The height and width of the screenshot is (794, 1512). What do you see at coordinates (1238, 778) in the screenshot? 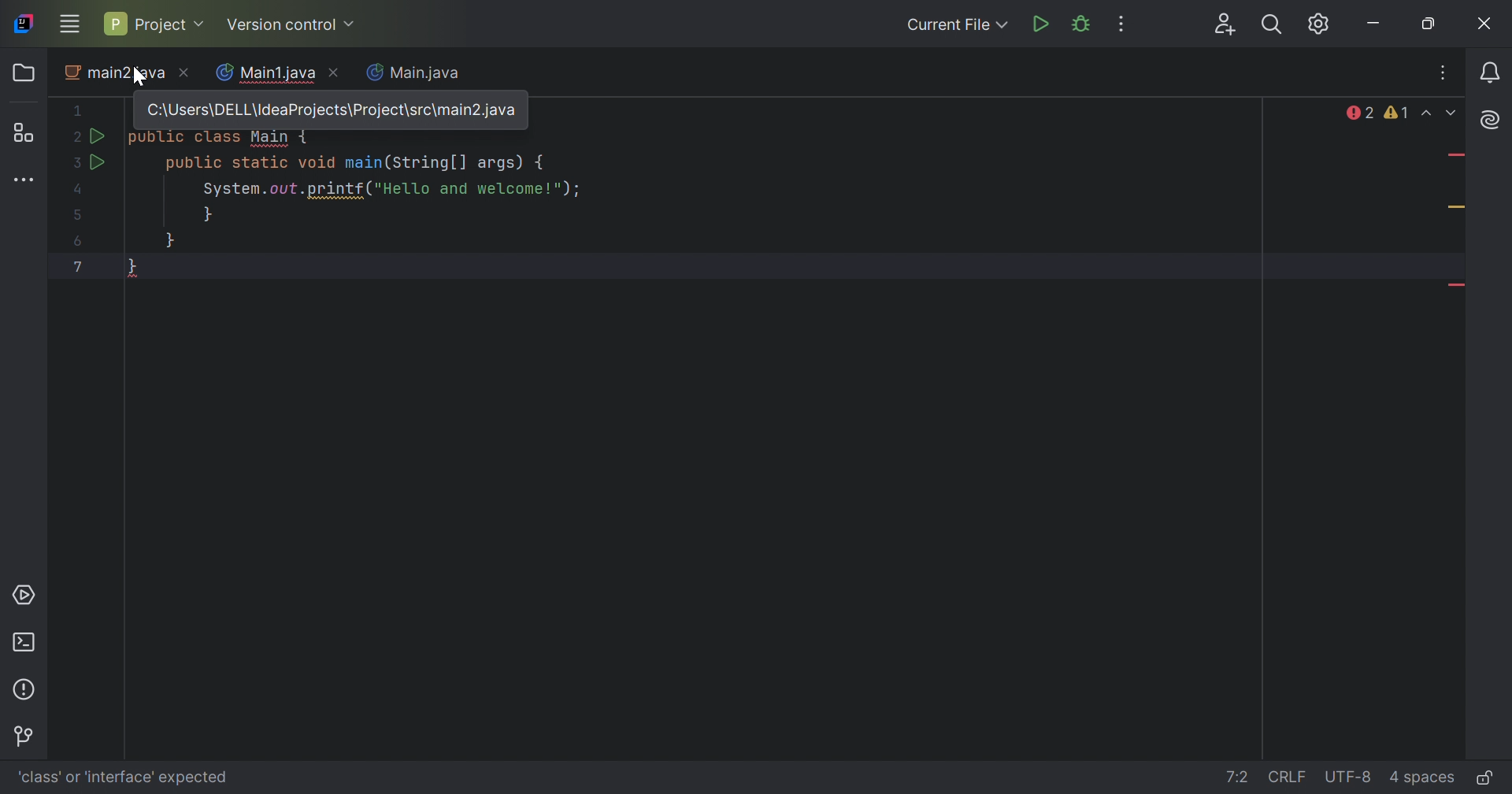
I see `go to line` at bounding box center [1238, 778].